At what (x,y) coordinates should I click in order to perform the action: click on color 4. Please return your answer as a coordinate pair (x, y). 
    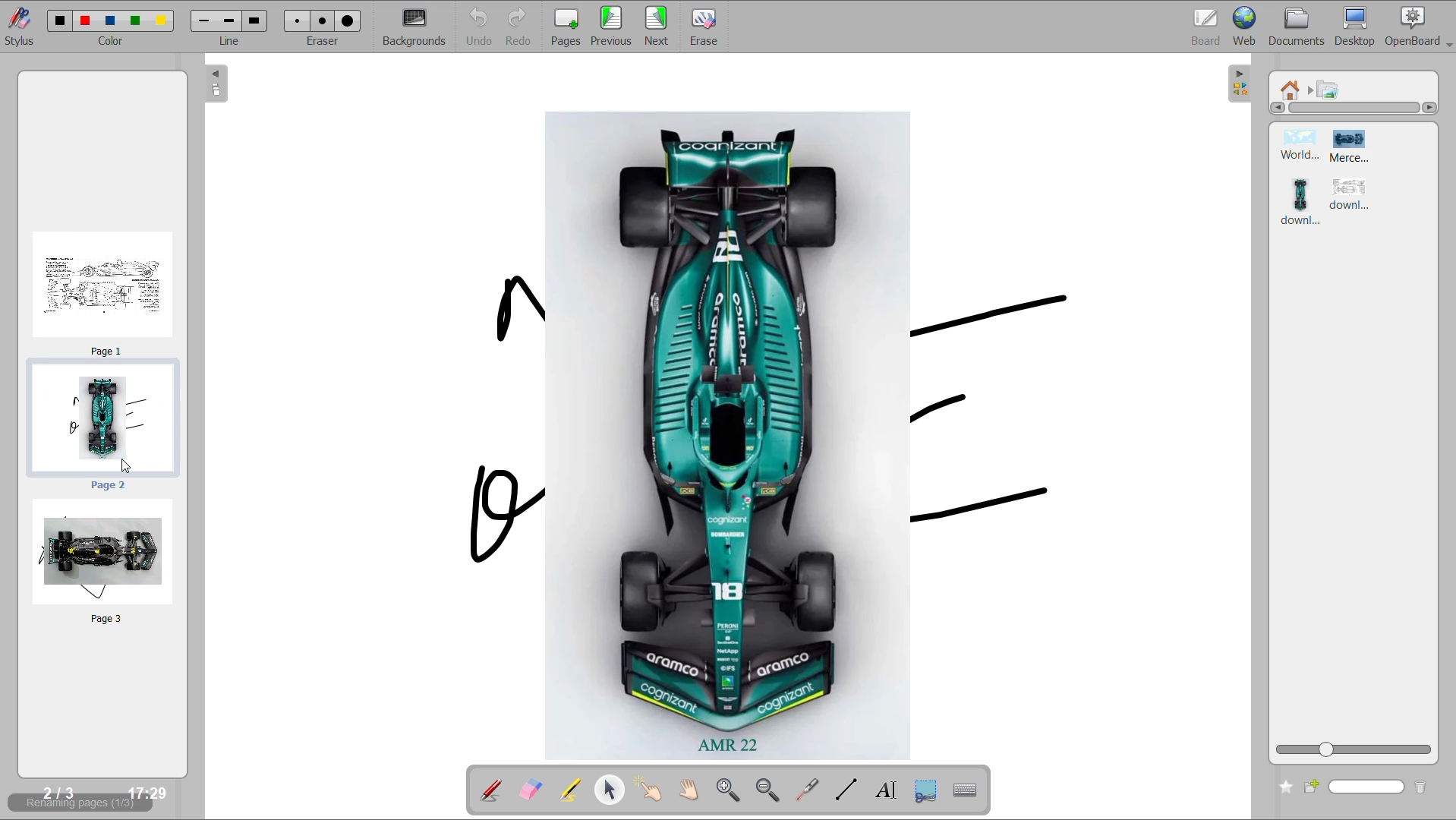
    Looking at the image, I should click on (135, 20).